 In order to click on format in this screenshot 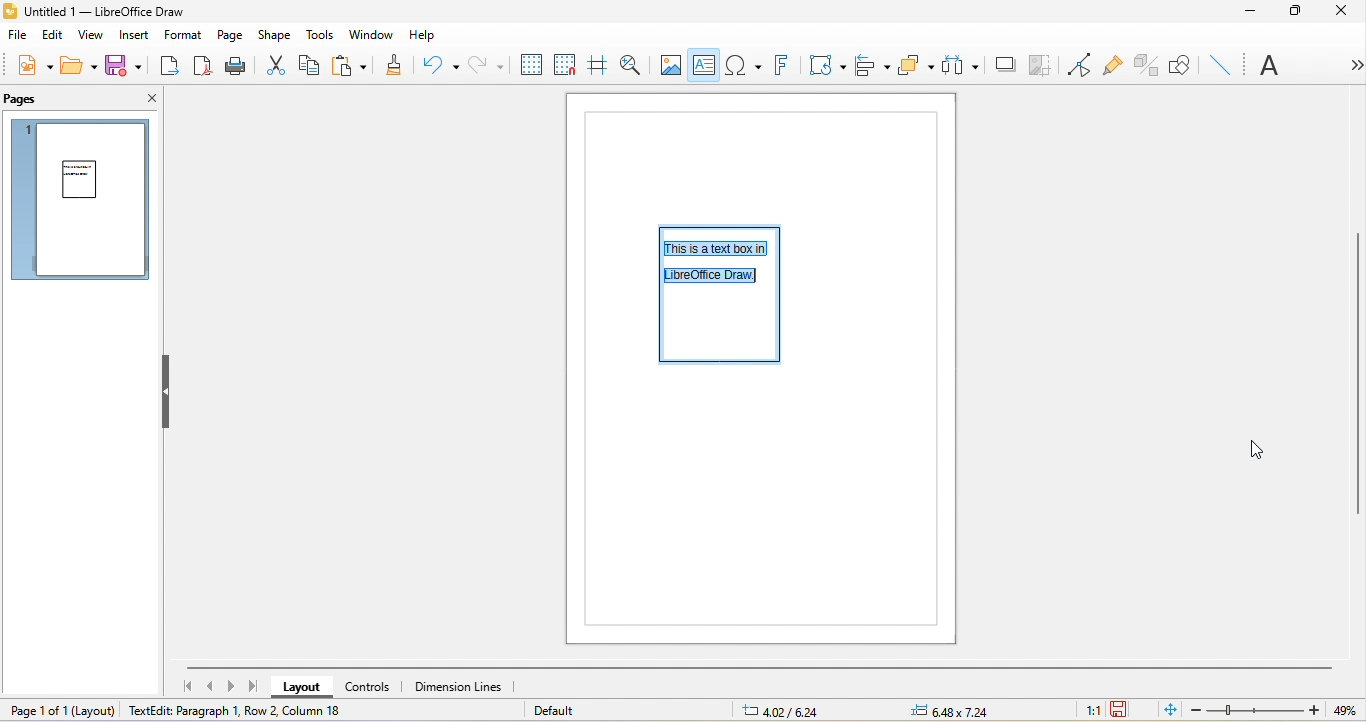, I will do `click(183, 37)`.